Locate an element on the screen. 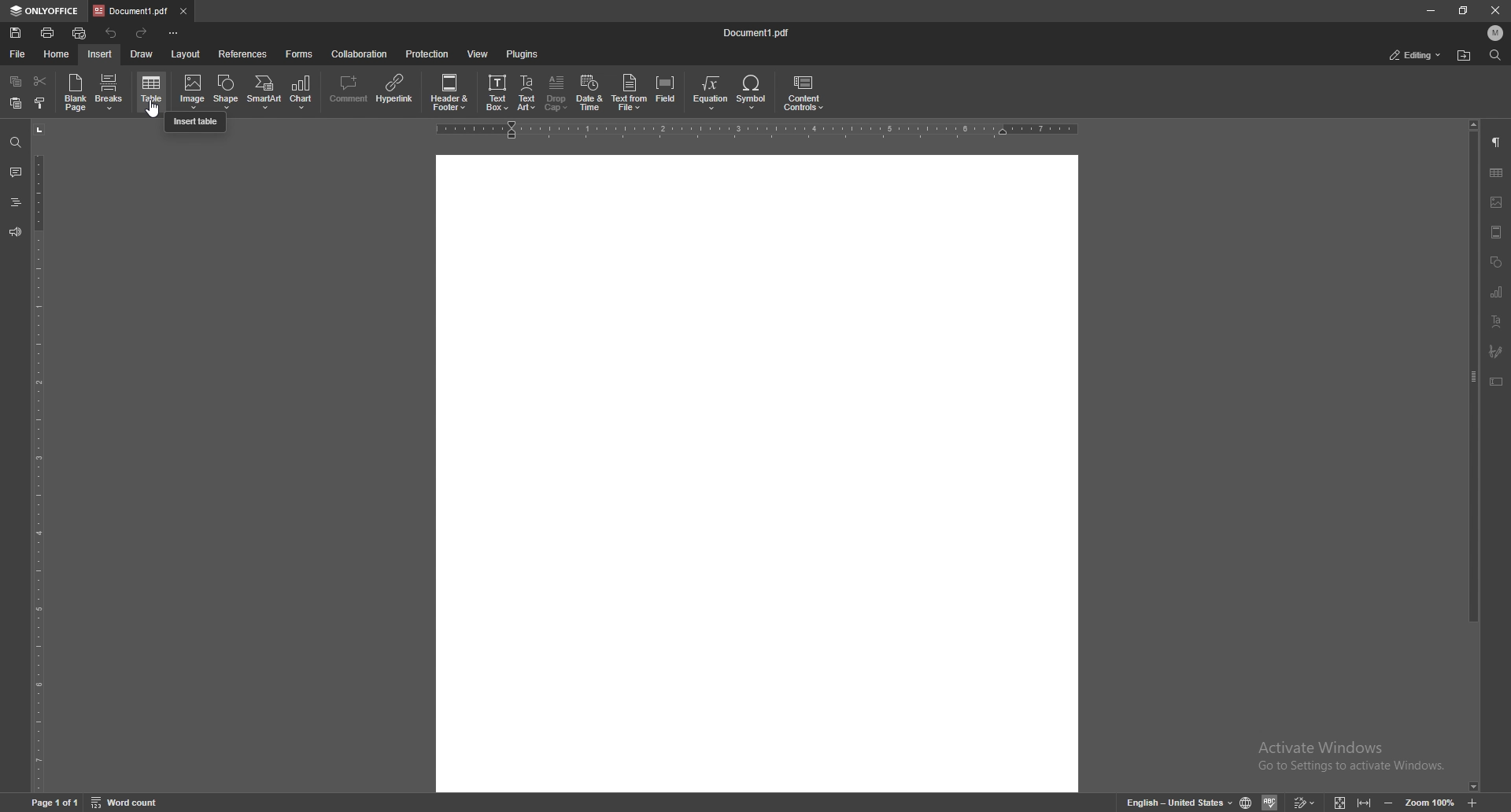  file is located at coordinates (17, 54).